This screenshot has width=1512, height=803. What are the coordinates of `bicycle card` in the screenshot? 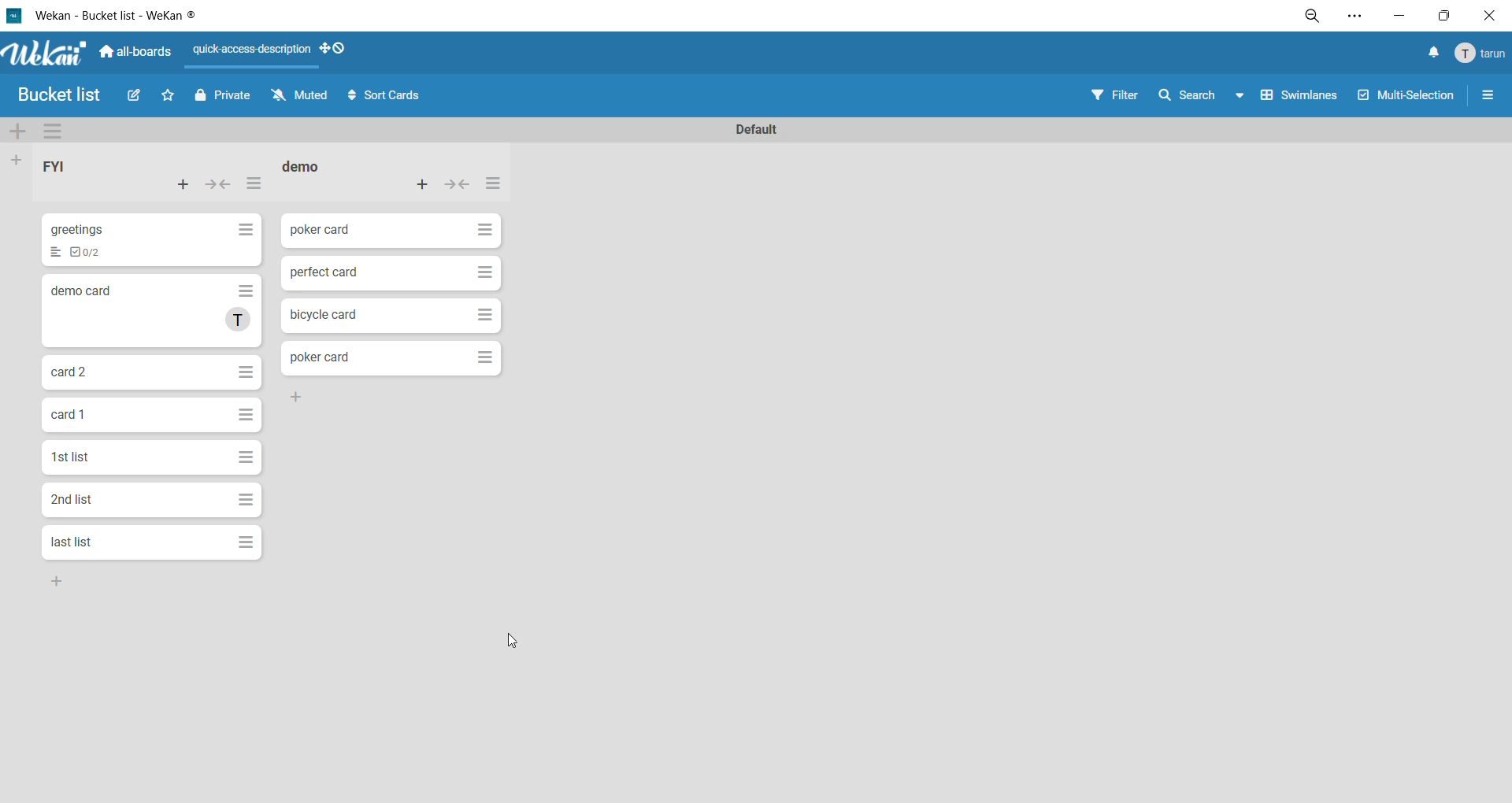 It's located at (322, 314).